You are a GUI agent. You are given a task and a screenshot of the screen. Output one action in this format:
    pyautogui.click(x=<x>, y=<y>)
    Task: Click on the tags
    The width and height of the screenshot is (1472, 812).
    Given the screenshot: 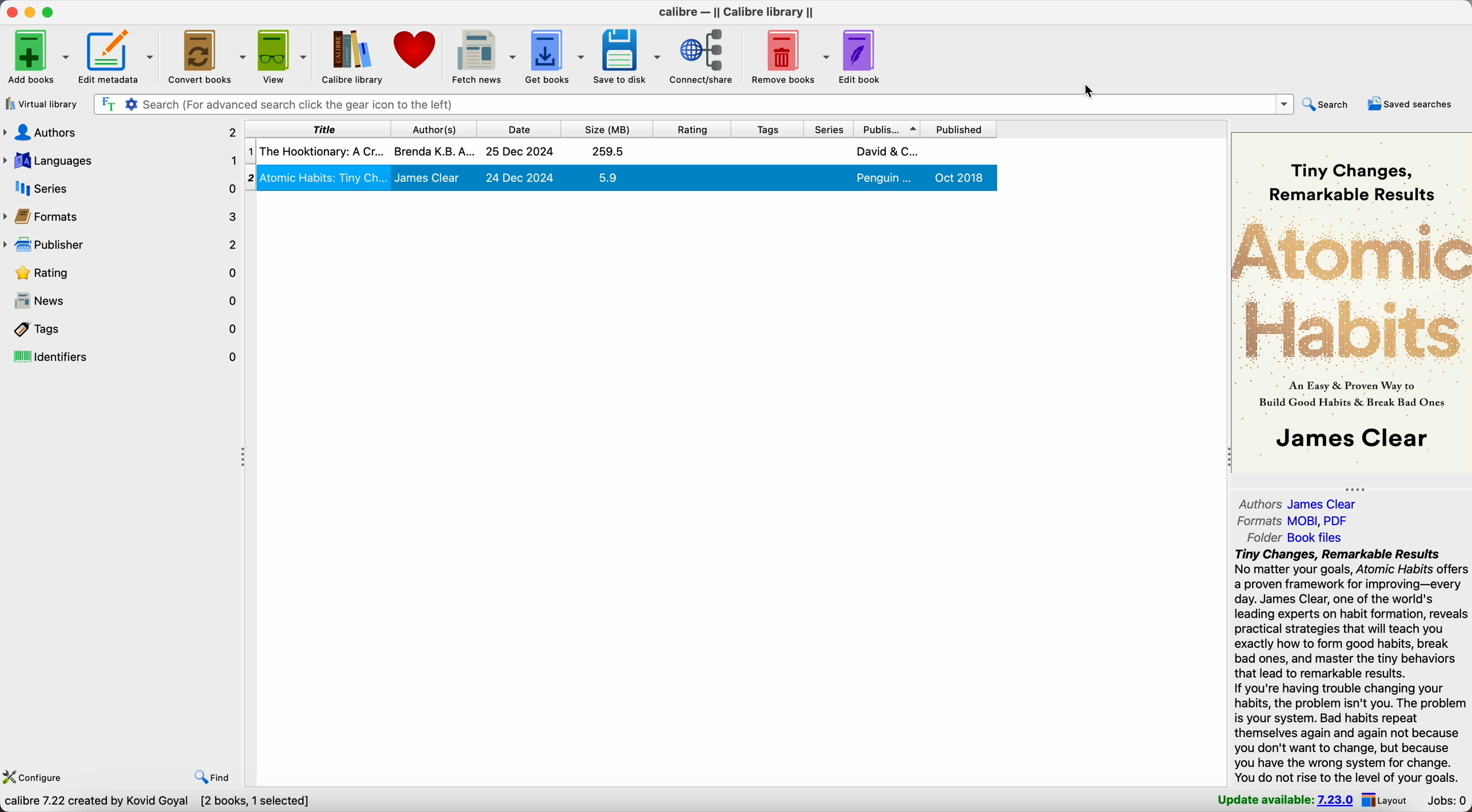 What is the action you would take?
    pyautogui.click(x=122, y=329)
    